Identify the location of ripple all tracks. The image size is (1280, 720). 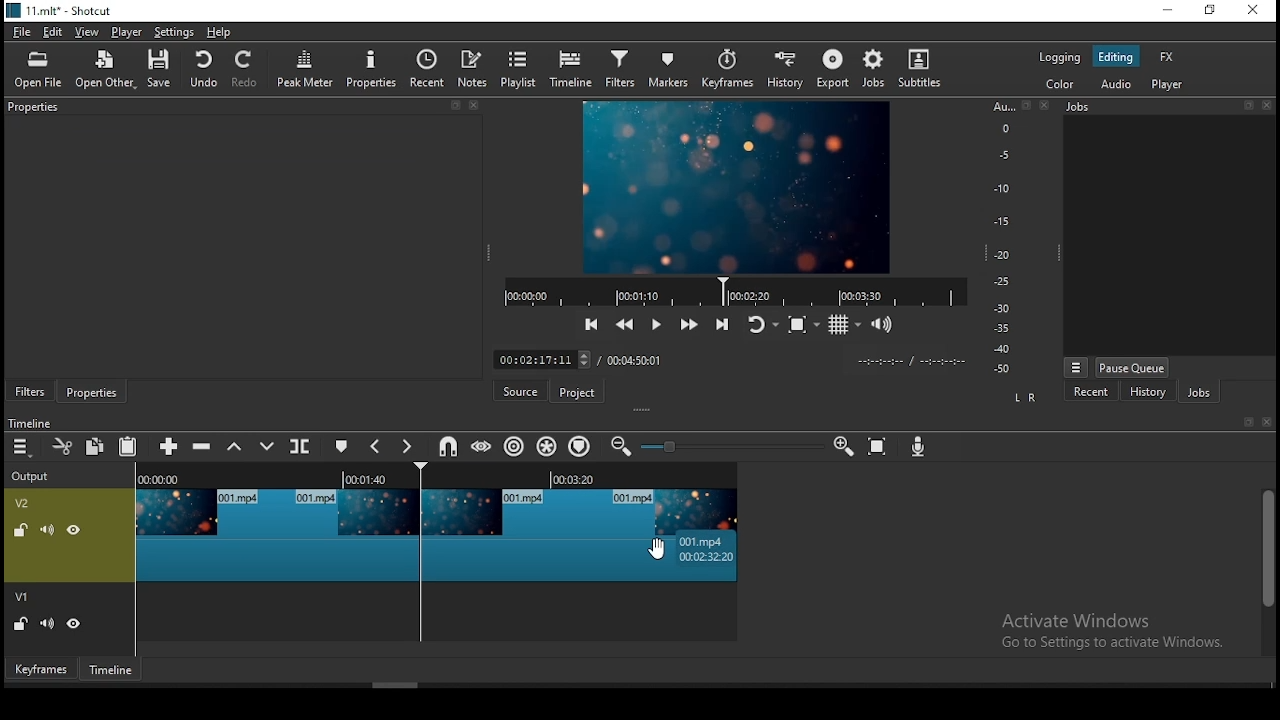
(547, 446).